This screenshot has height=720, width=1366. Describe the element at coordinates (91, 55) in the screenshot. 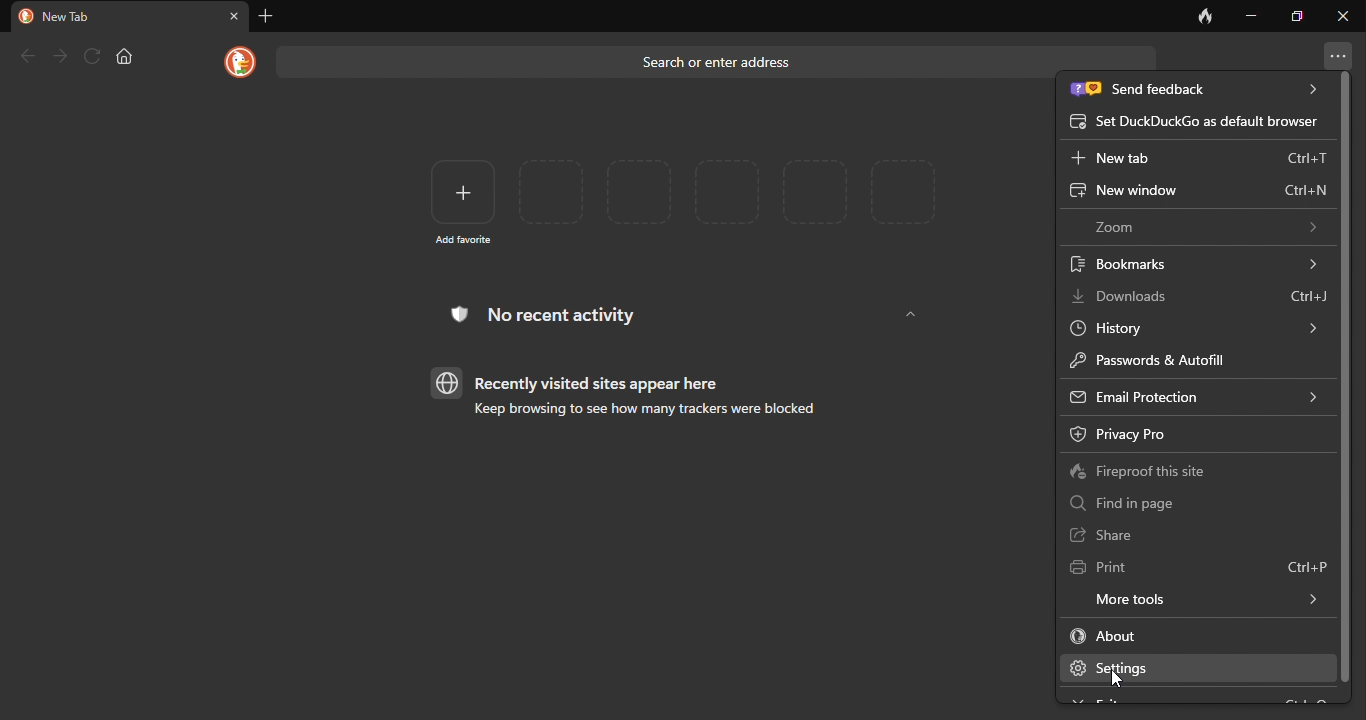

I see `refresh` at that location.